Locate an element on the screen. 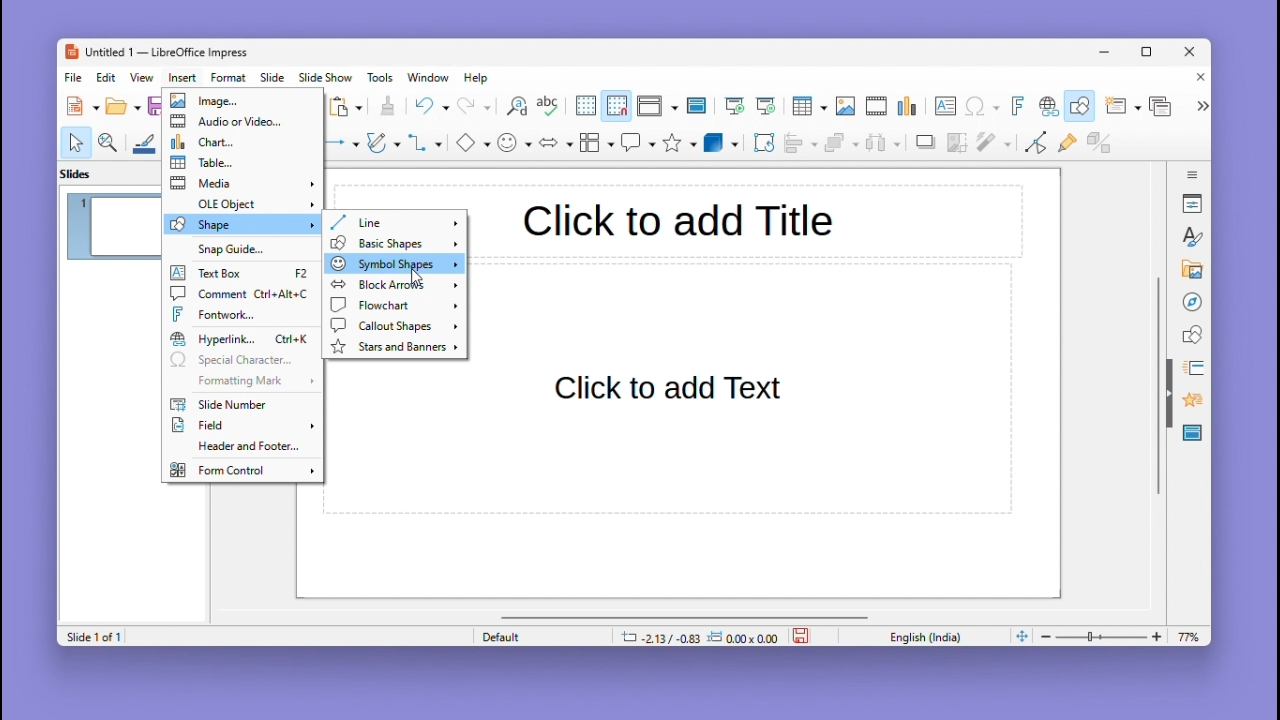 Image resolution: width=1280 pixels, height=720 pixels. Filter is located at coordinates (992, 148).